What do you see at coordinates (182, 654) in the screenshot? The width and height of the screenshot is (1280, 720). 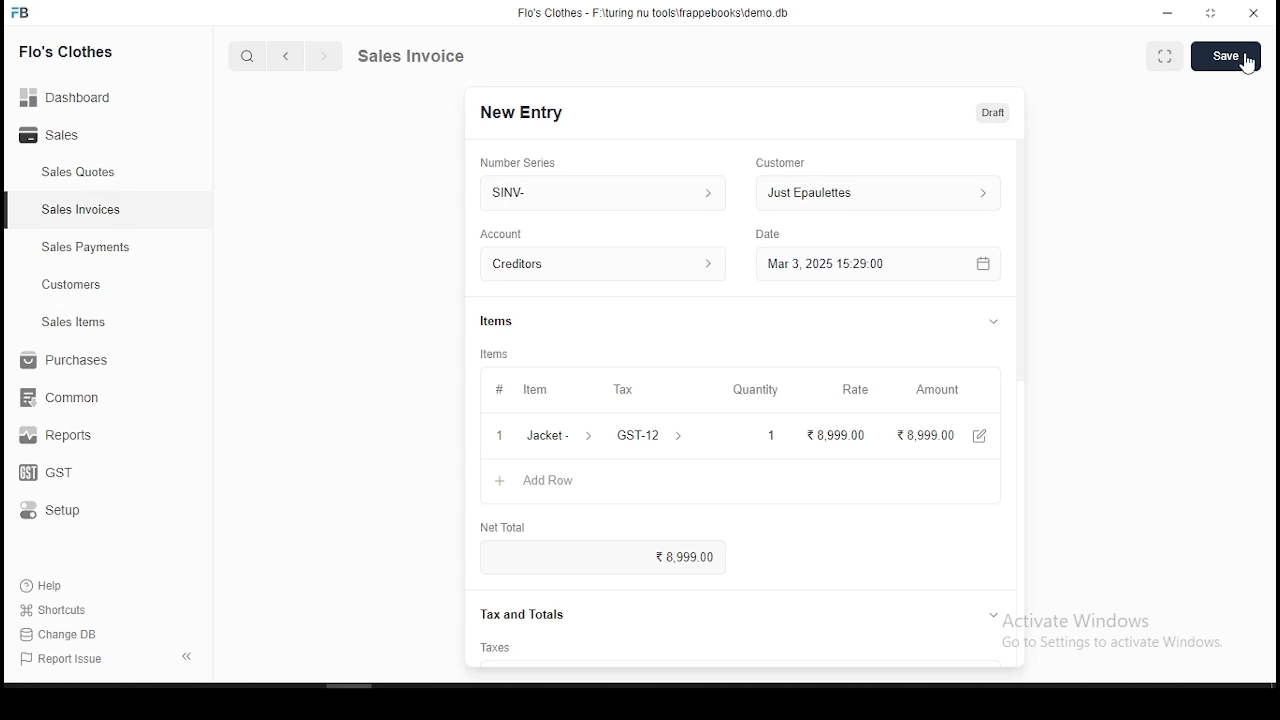 I see `expand` at bounding box center [182, 654].